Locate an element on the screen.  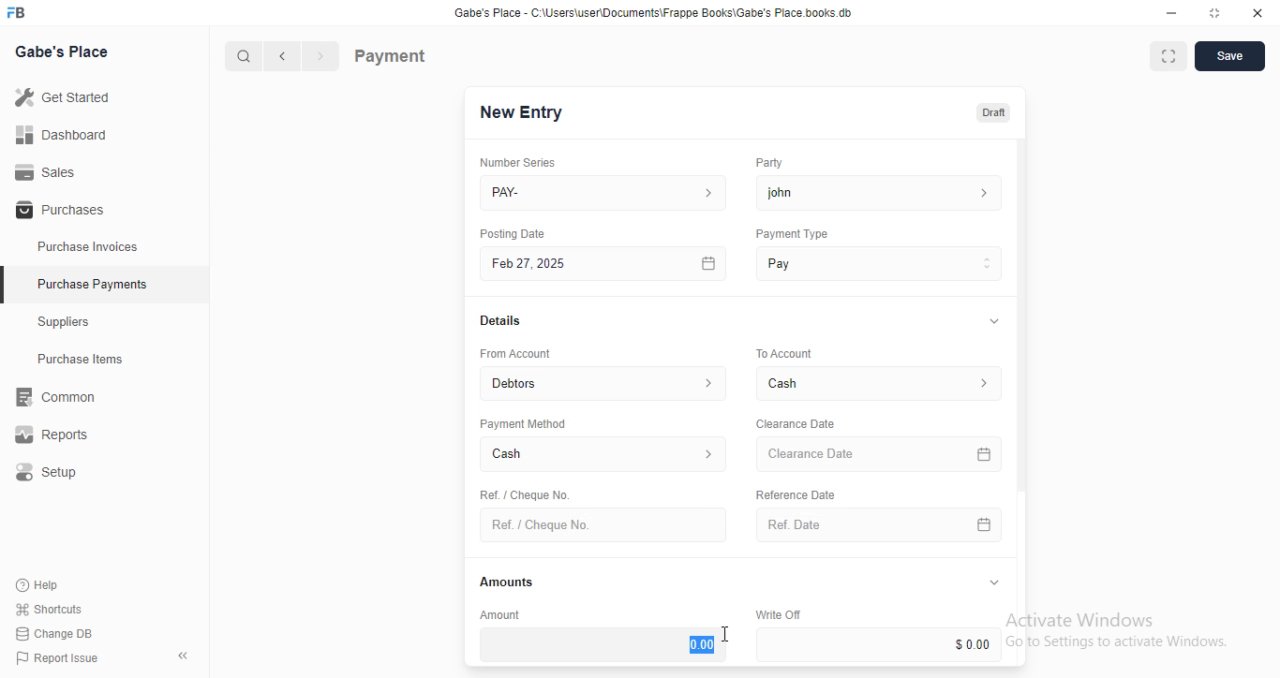
resize is located at coordinates (1213, 13).